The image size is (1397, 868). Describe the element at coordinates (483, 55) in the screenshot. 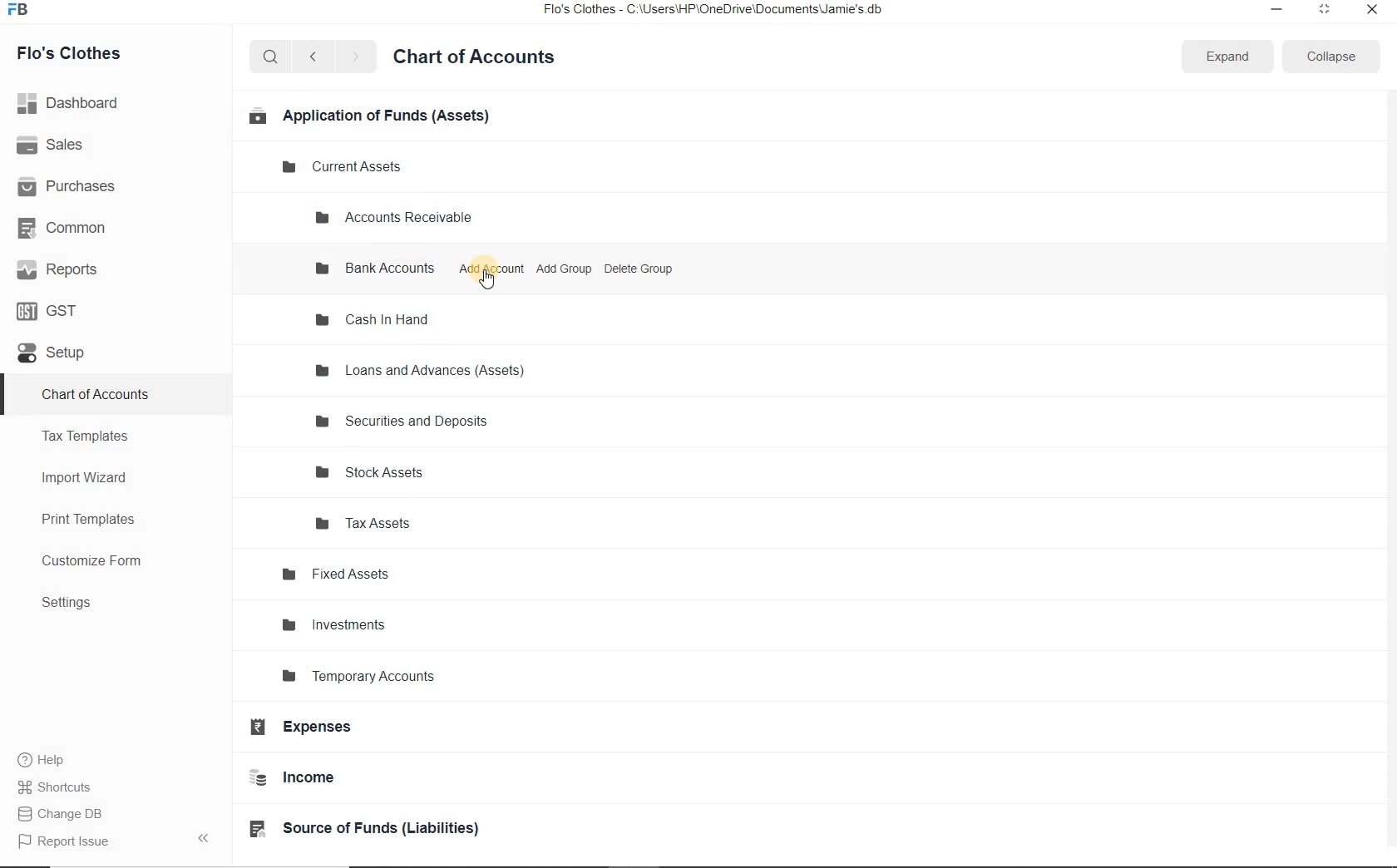

I see `Chart of Accounts` at that location.